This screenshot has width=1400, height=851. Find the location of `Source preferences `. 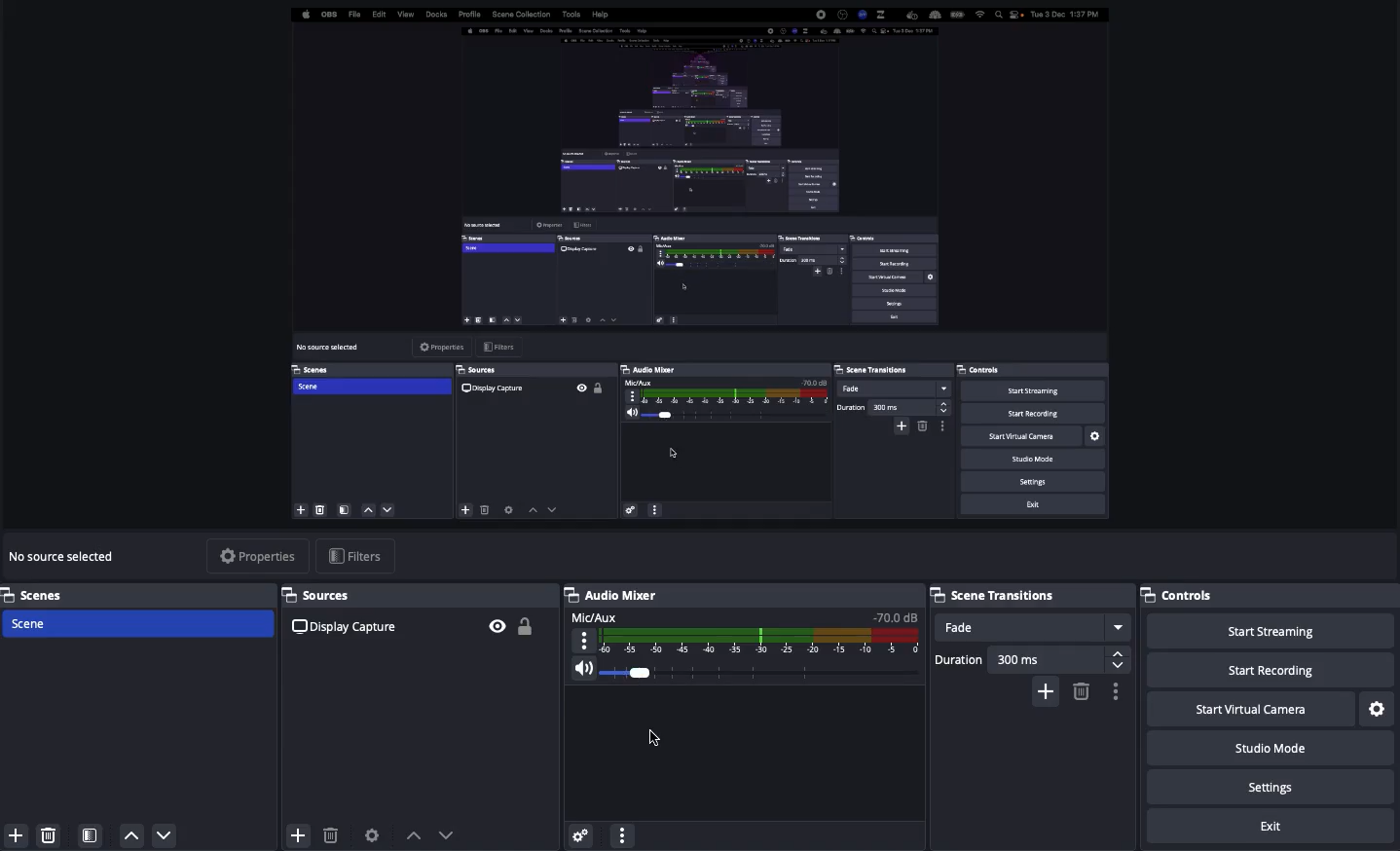

Source preferences  is located at coordinates (374, 833).